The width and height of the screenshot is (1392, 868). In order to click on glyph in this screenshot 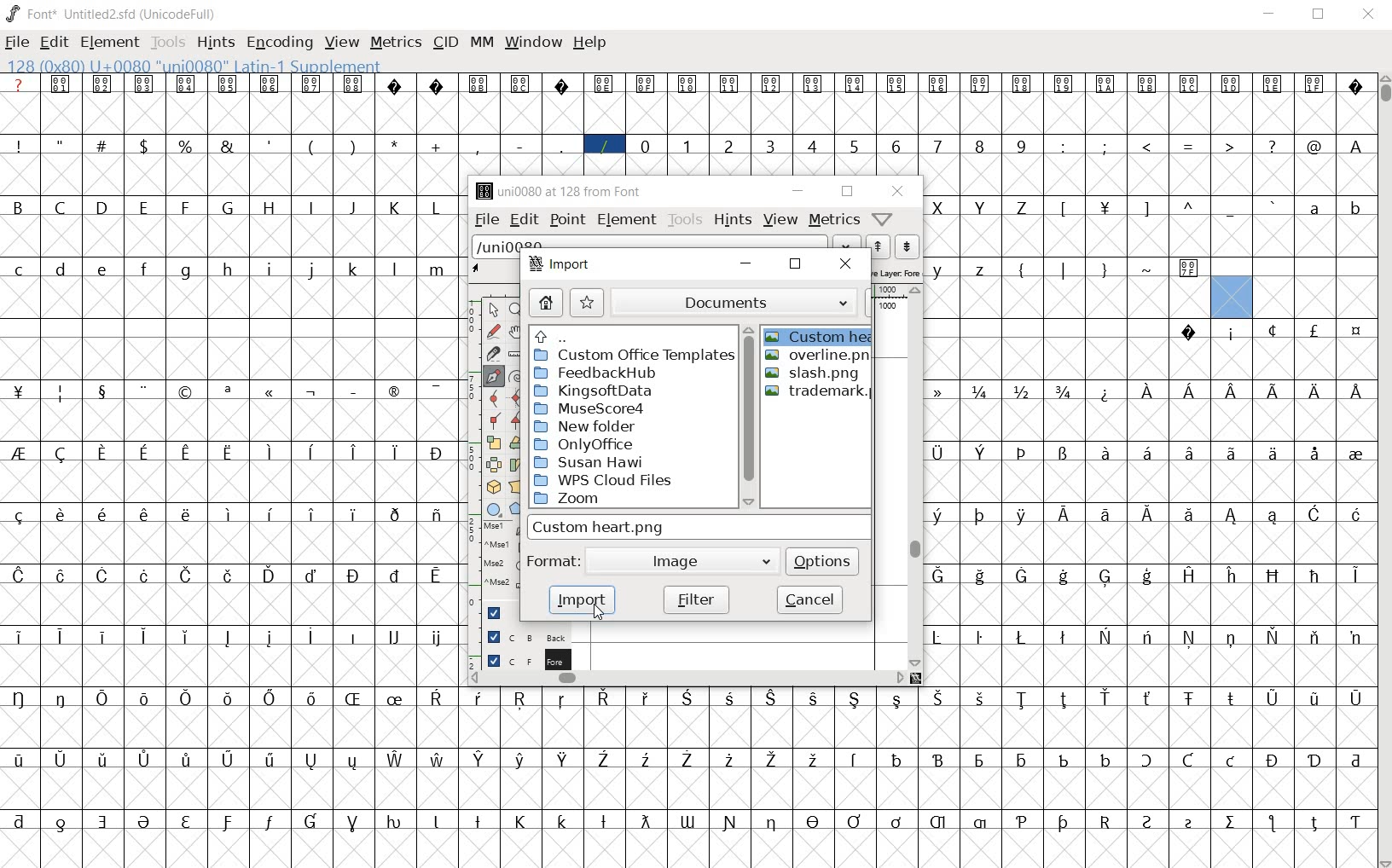, I will do `click(103, 822)`.